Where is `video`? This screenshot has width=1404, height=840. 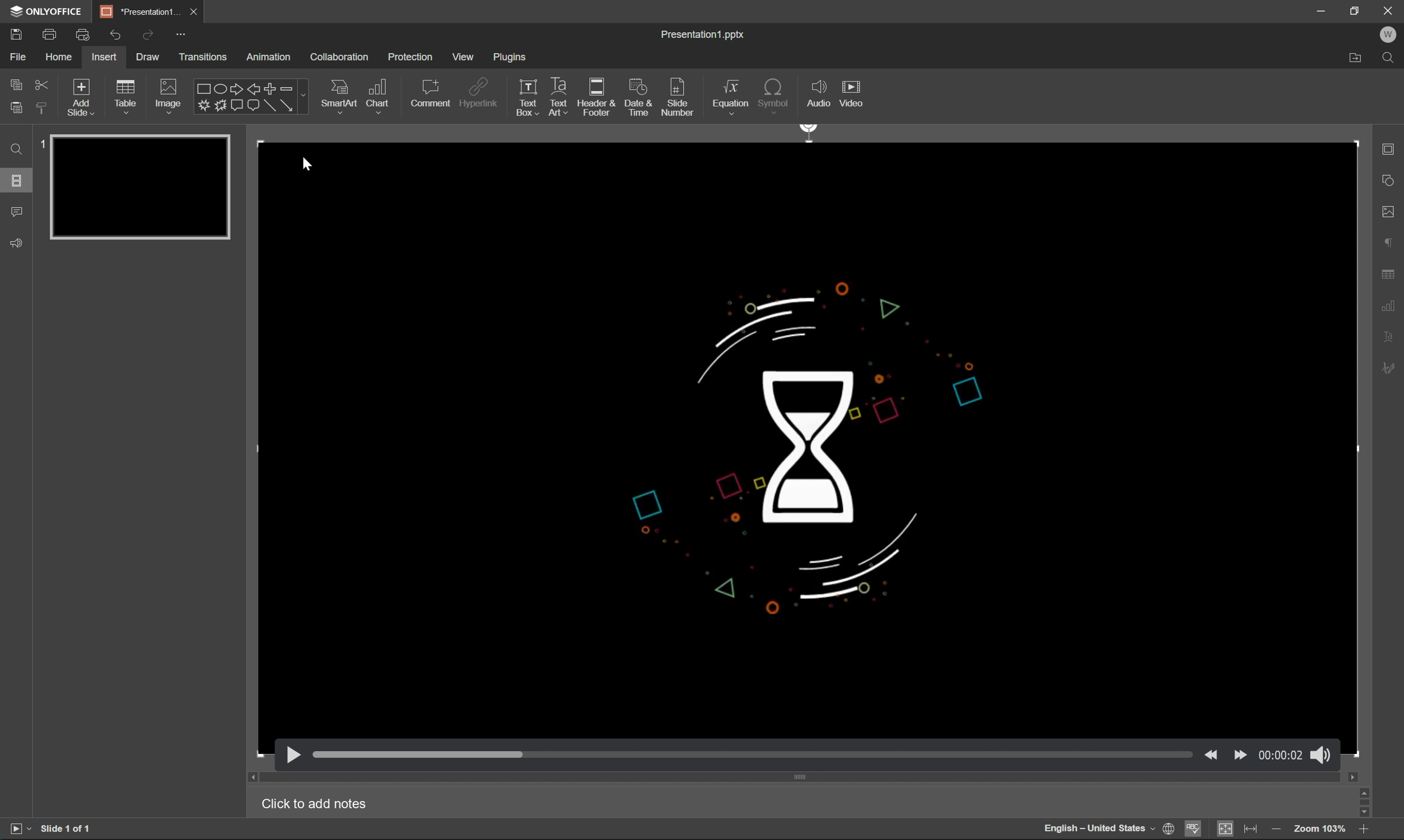 video is located at coordinates (853, 93).